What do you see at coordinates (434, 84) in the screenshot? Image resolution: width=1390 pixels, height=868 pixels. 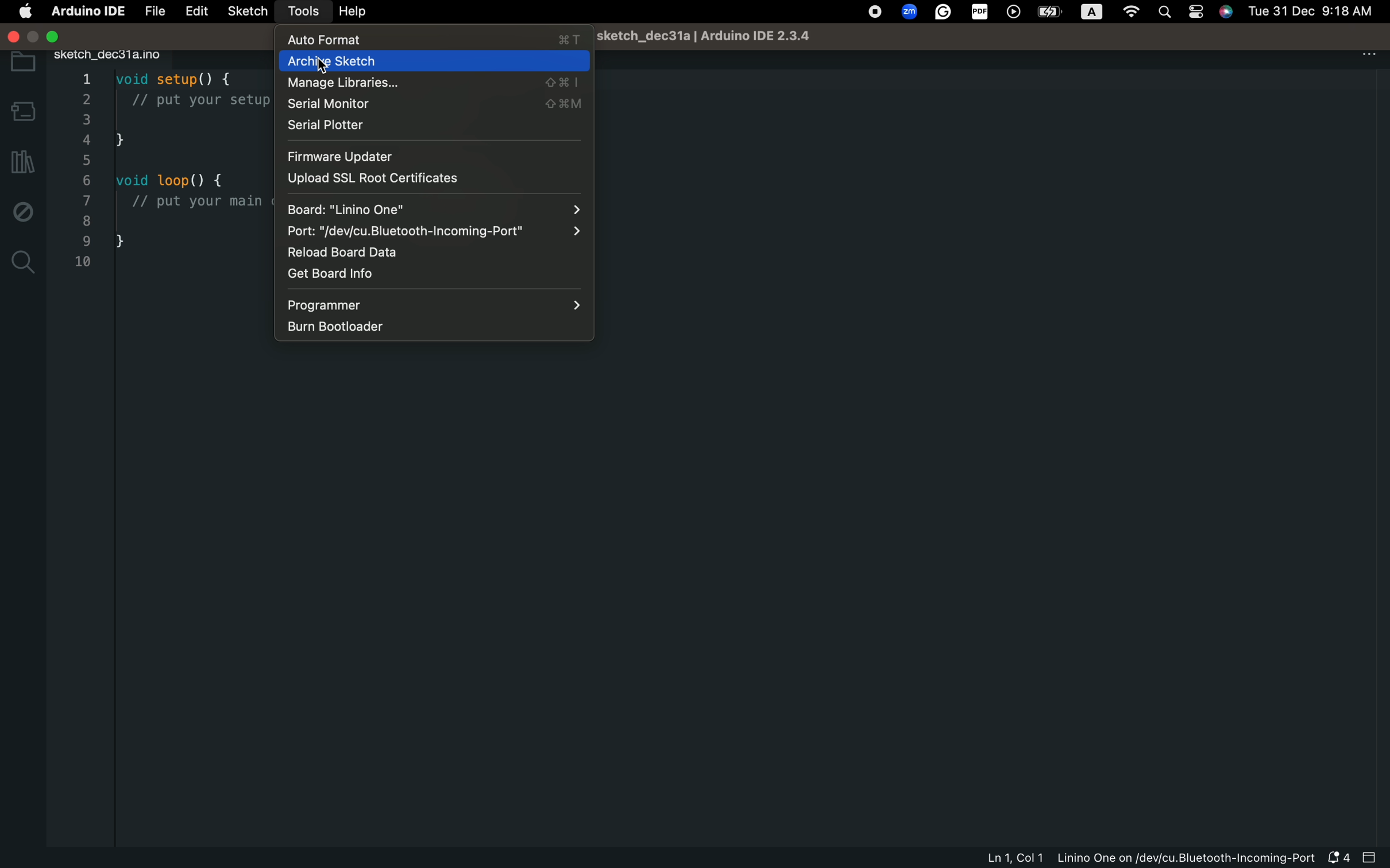 I see `Manage library ` at bounding box center [434, 84].